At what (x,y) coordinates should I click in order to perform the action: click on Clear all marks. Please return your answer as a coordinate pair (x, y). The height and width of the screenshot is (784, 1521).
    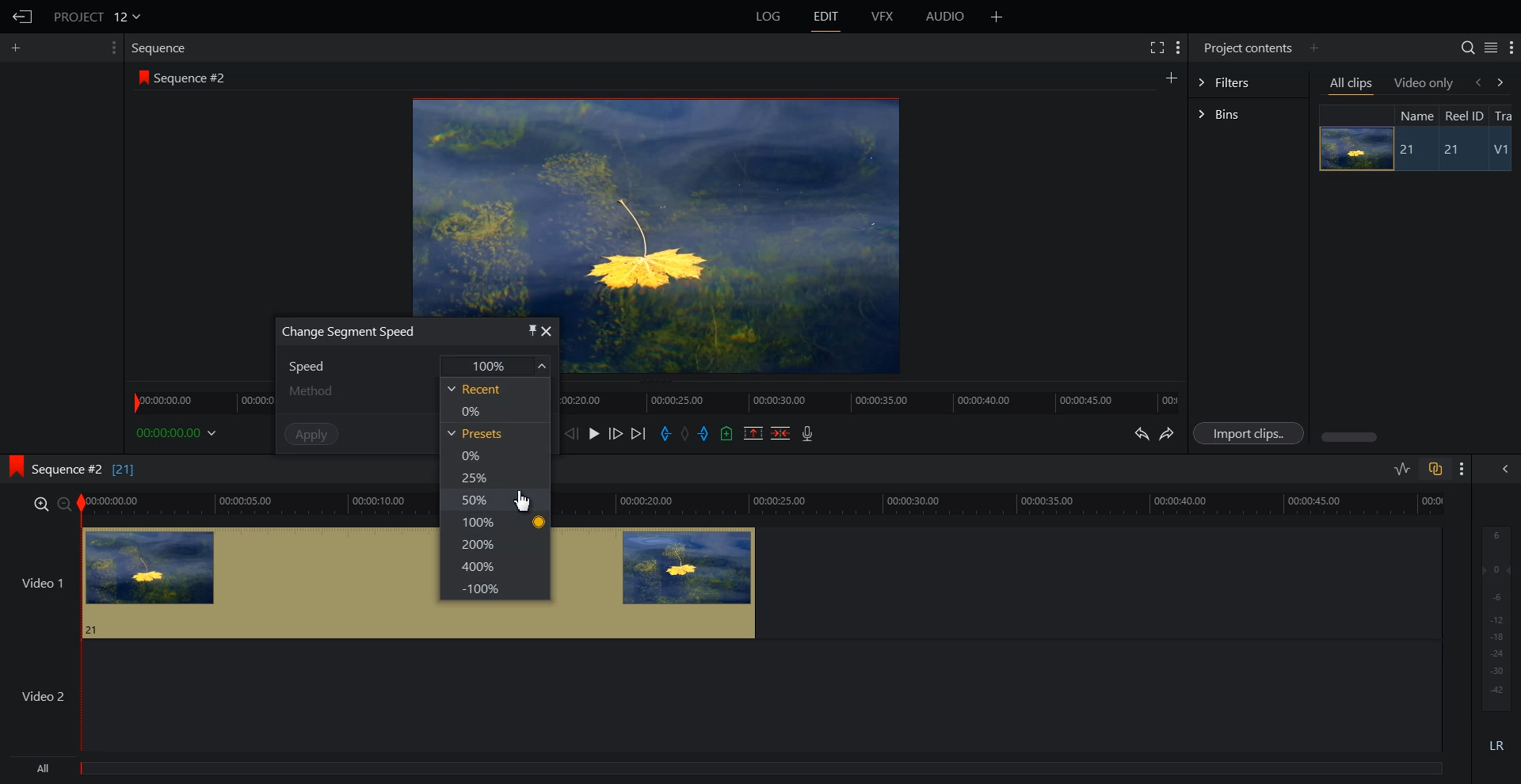
    Looking at the image, I should click on (686, 434).